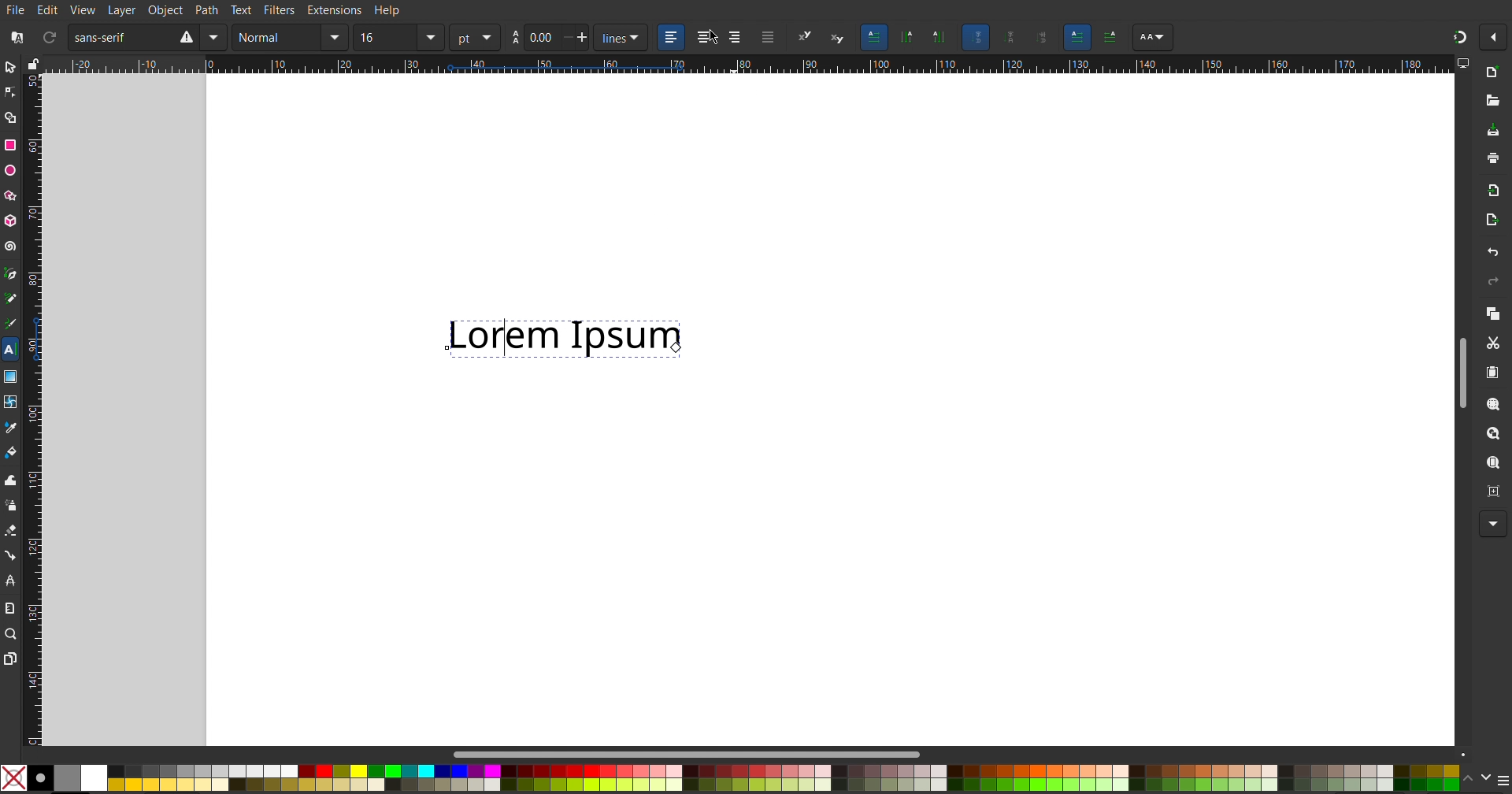 This screenshot has width=1512, height=794. What do you see at coordinates (714, 39) in the screenshot?
I see `Cursor at Align` at bounding box center [714, 39].